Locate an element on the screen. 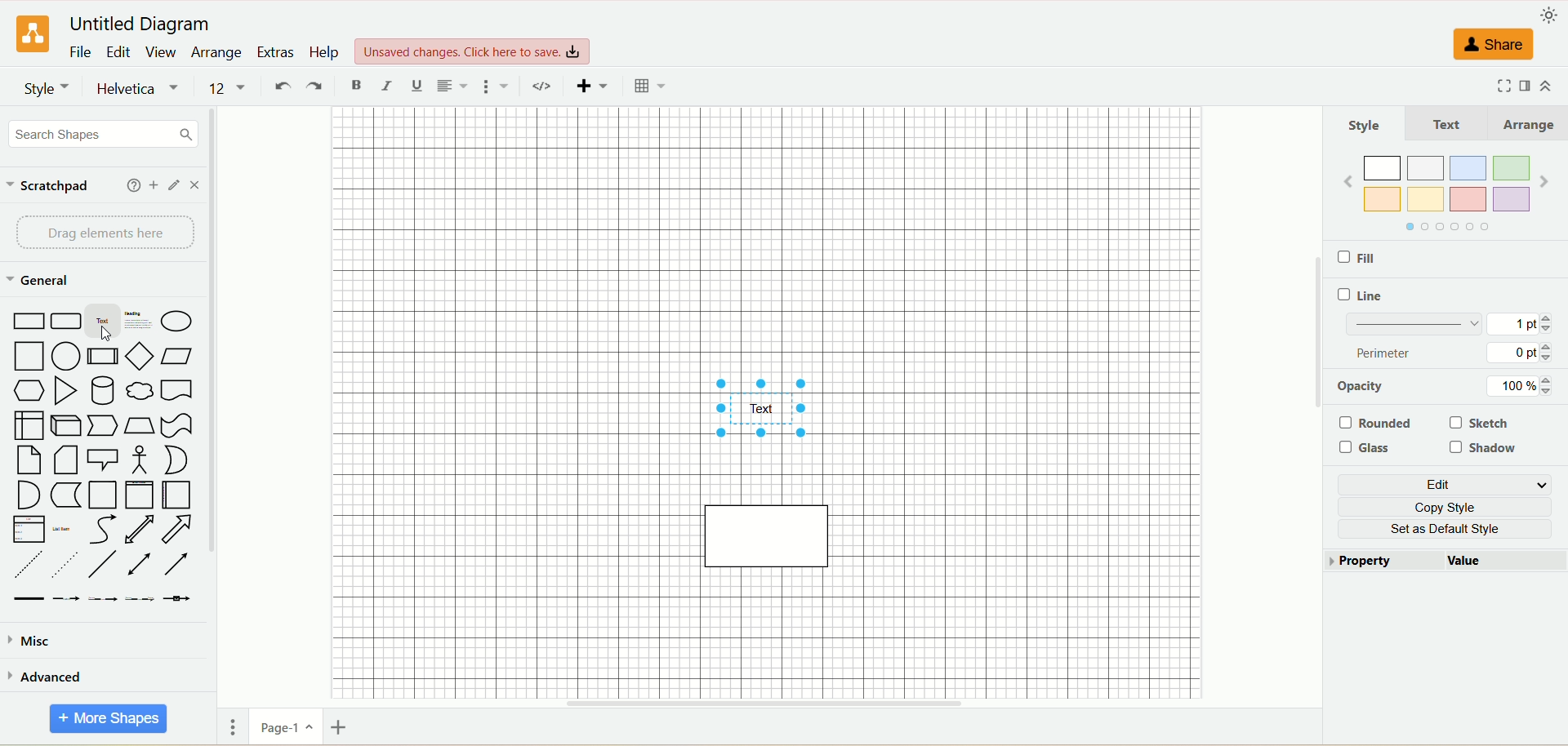  arrange is located at coordinates (218, 54).